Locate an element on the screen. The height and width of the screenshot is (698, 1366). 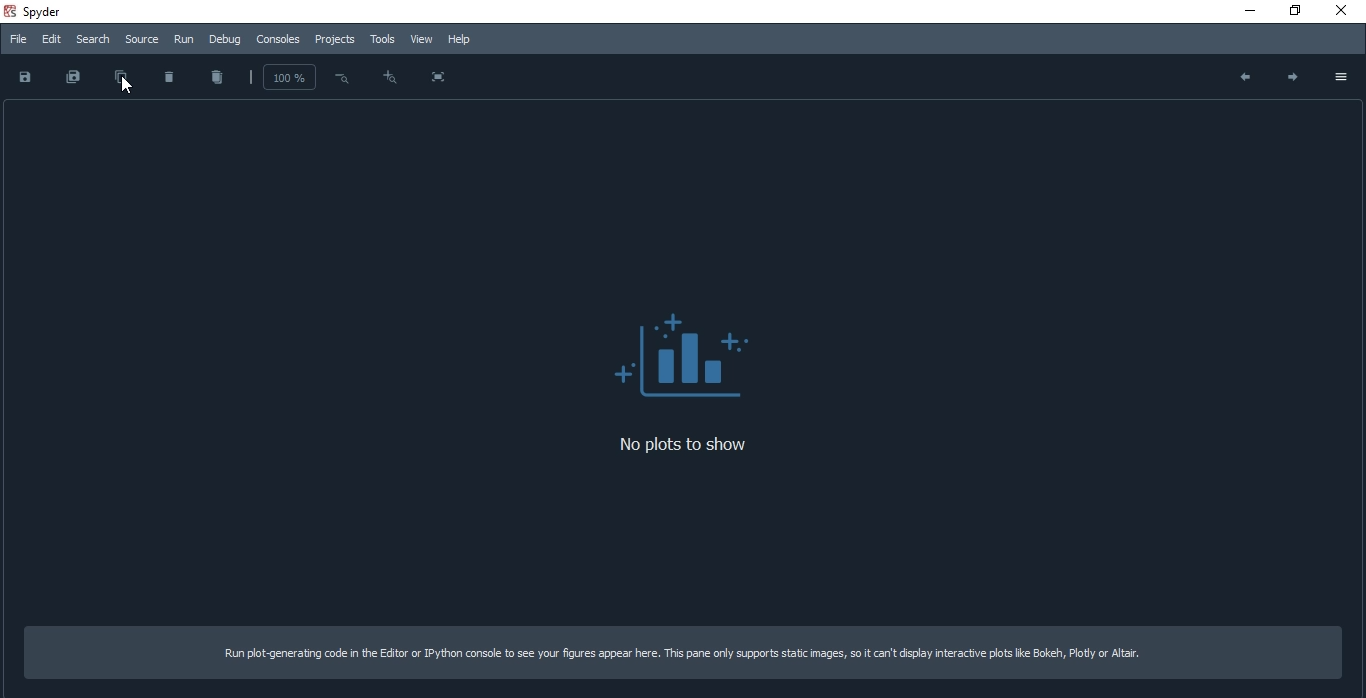
File  is located at coordinates (19, 38).